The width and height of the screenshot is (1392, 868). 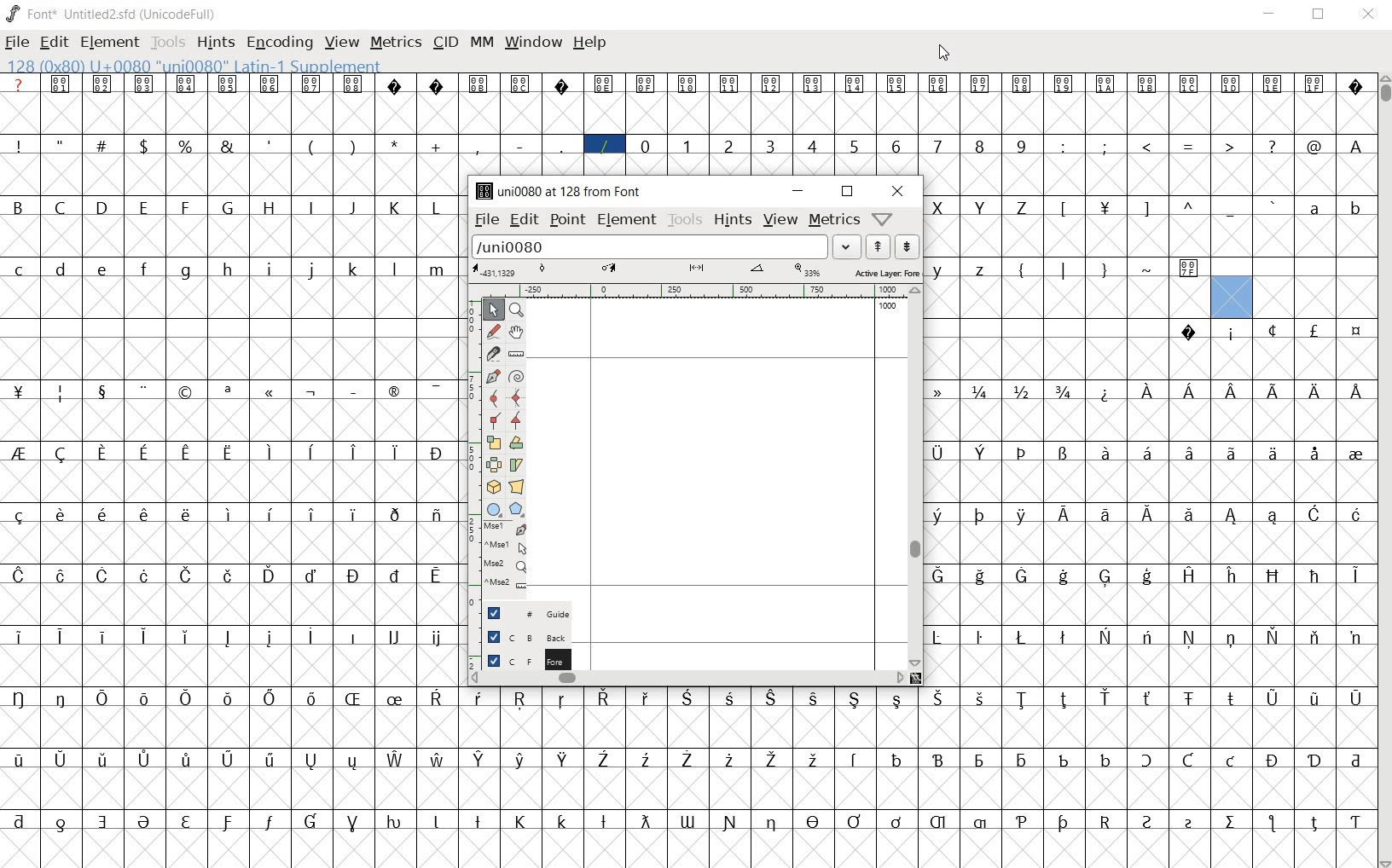 I want to click on glyph, so click(x=1314, y=761).